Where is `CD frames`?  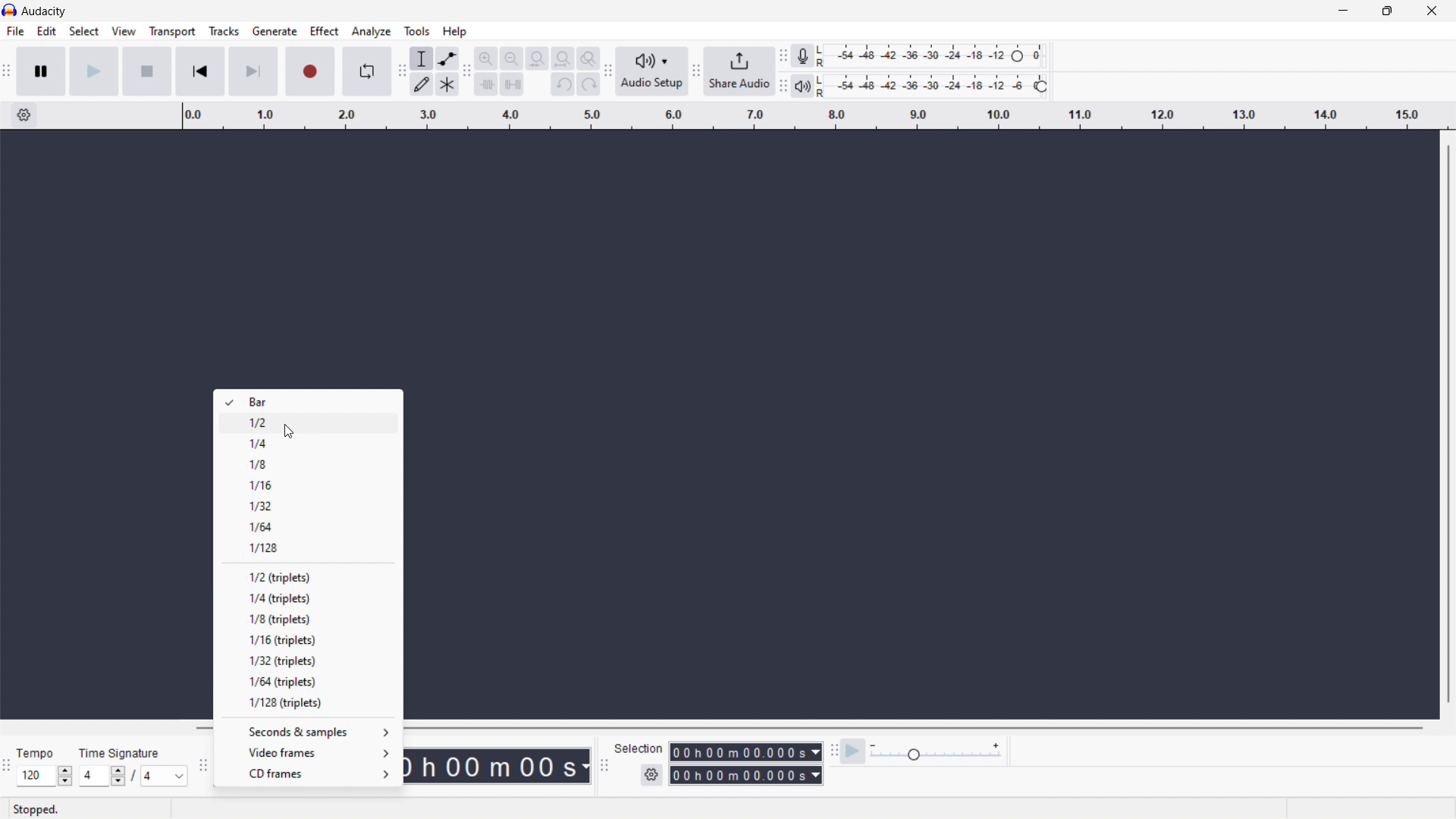
CD frames is located at coordinates (305, 774).